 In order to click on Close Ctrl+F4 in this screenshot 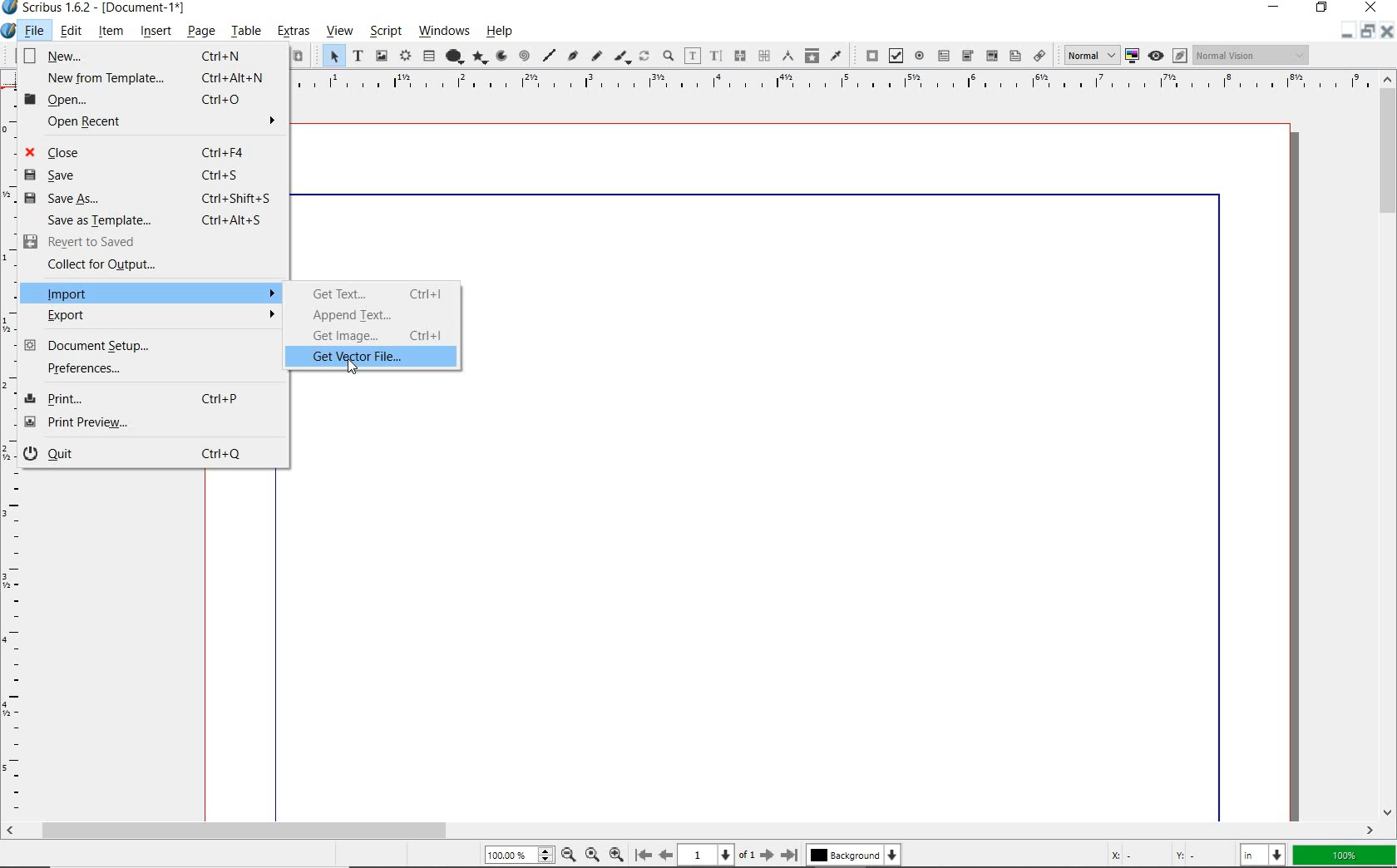, I will do `click(143, 153)`.